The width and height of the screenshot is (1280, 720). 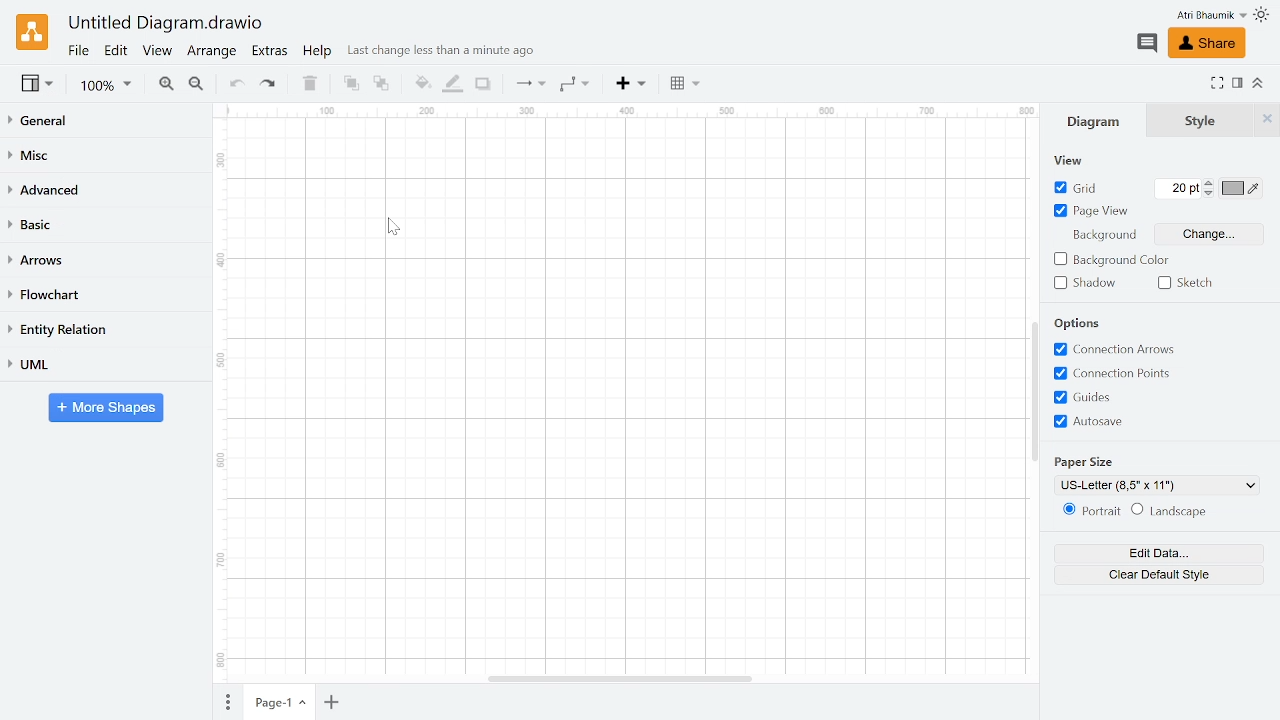 What do you see at coordinates (383, 85) in the screenshot?
I see `To back` at bounding box center [383, 85].